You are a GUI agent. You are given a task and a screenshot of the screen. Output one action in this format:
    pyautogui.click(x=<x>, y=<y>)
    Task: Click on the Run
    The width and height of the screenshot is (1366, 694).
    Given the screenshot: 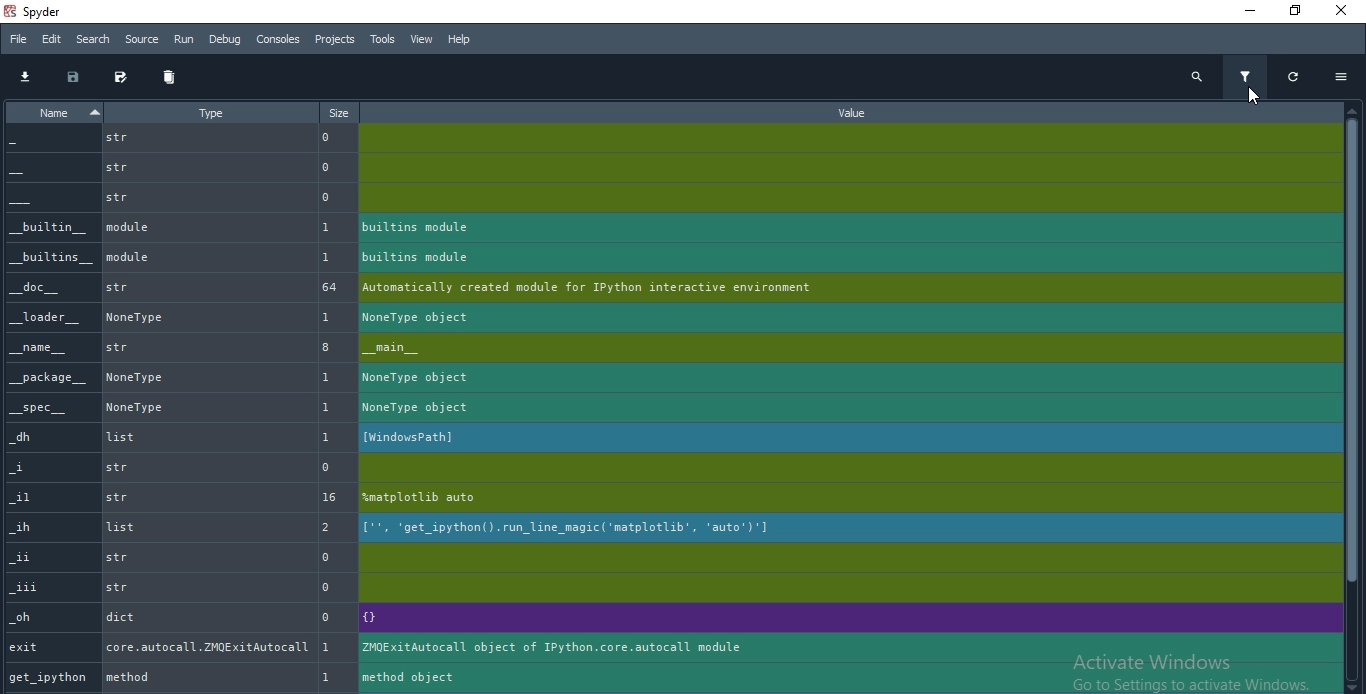 What is the action you would take?
    pyautogui.click(x=185, y=38)
    